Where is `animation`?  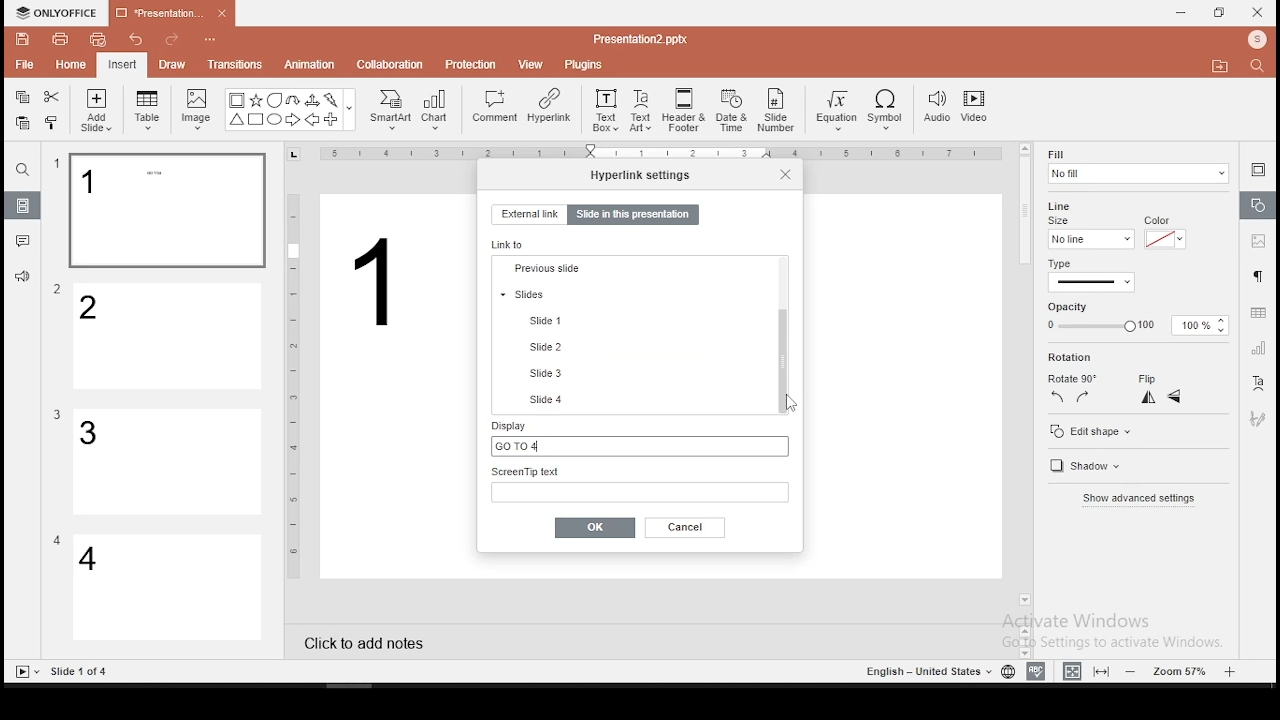
animation is located at coordinates (308, 66).